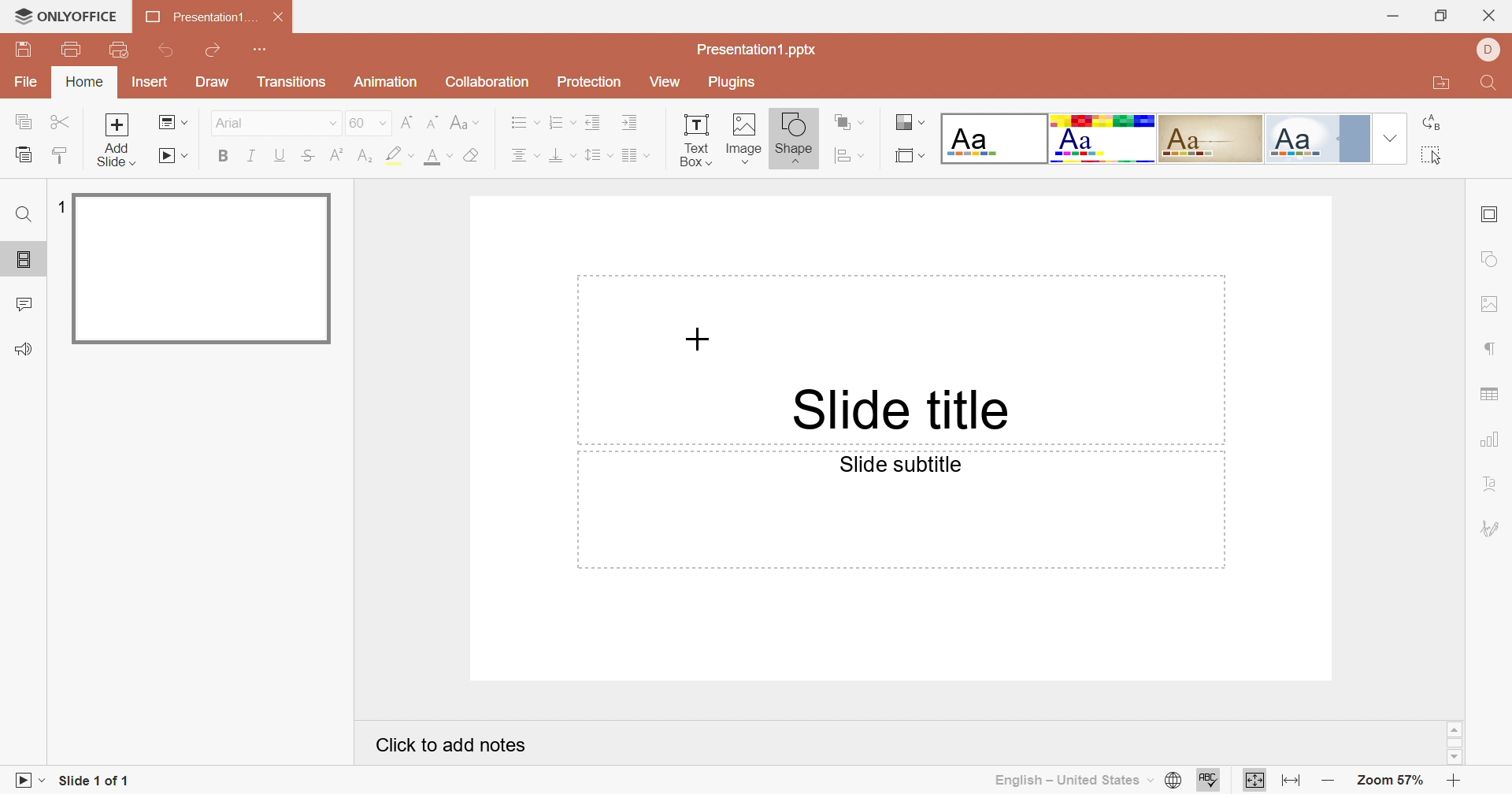 This screenshot has height=794, width=1512. What do you see at coordinates (1455, 729) in the screenshot?
I see `Scroll up` at bounding box center [1455, 729].